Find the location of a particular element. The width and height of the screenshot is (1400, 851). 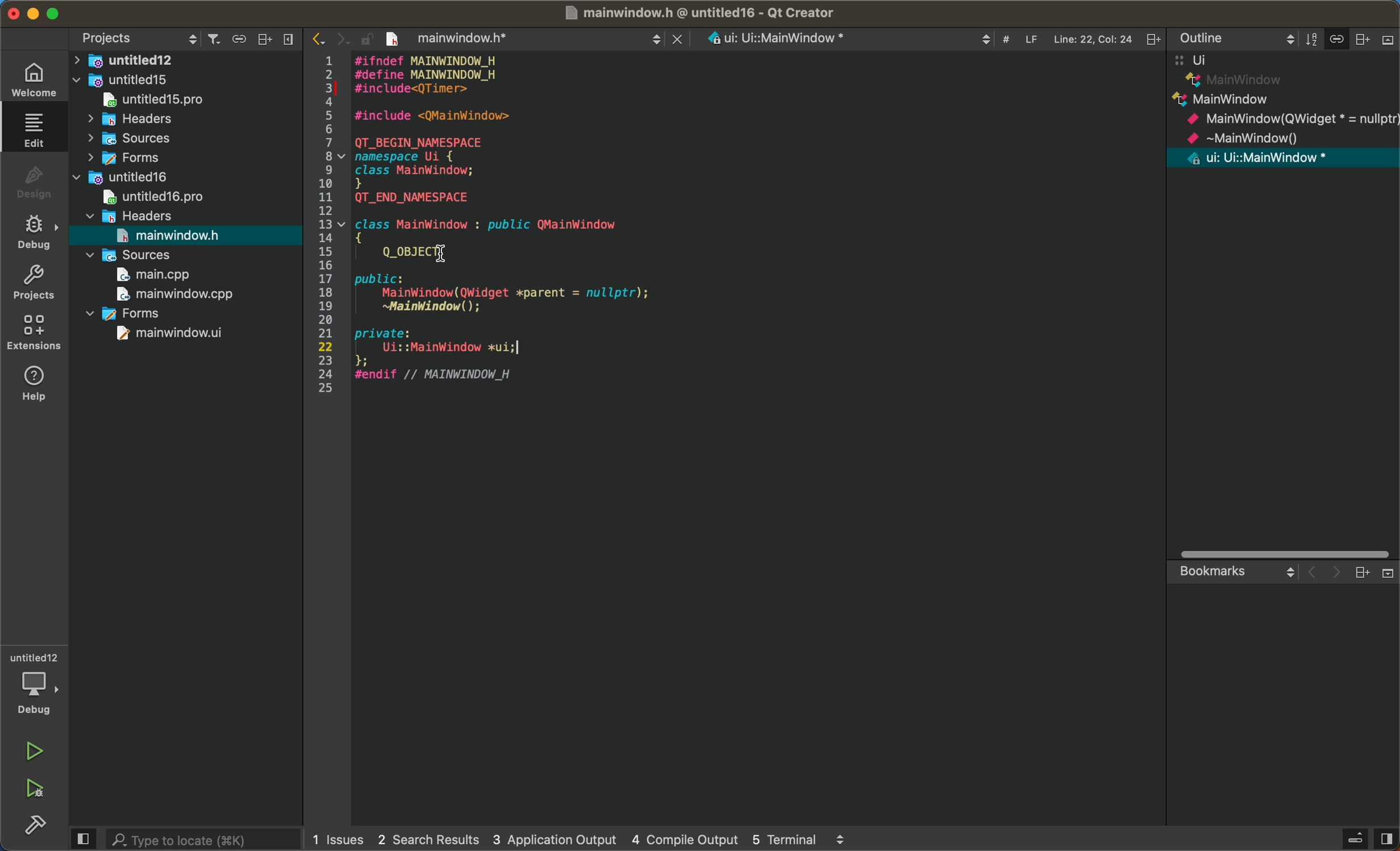

main context is located at coordinates (1285, 112).